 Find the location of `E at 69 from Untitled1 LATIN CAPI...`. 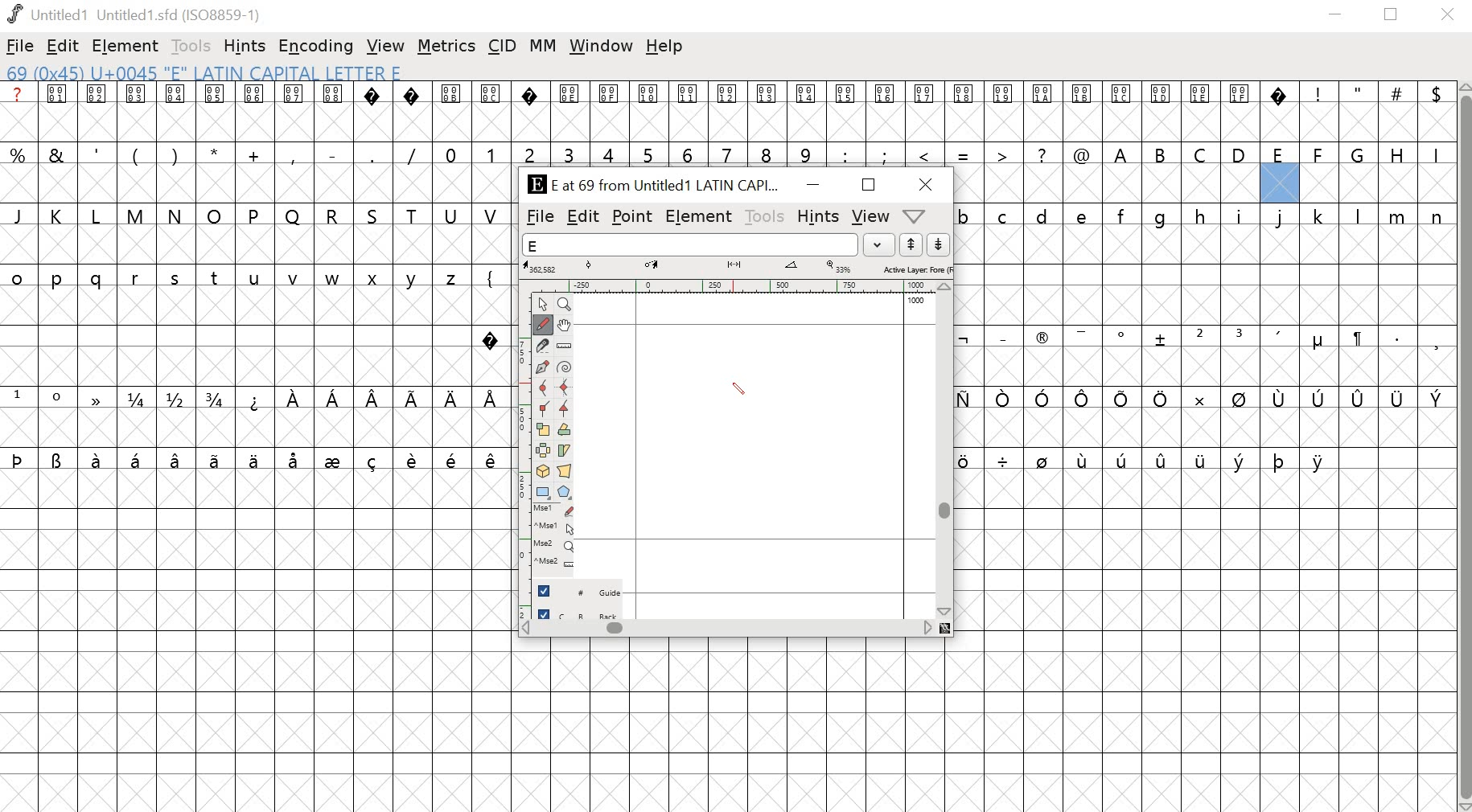

E at 69 from Untitled1 LATIN CAPI... is located at coordinates (651, 186).